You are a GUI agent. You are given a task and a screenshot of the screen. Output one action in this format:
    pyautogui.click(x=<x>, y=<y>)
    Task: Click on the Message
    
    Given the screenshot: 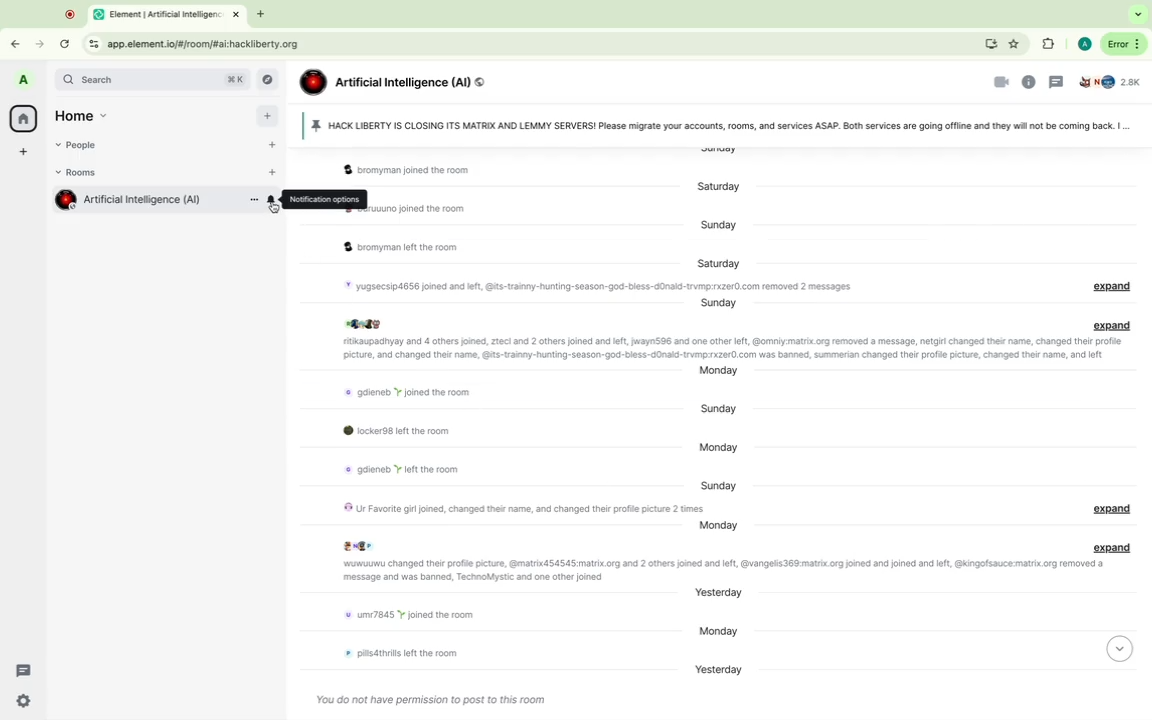 What is the action you would take?
    pyautogui.click(x=412, y=208)
    